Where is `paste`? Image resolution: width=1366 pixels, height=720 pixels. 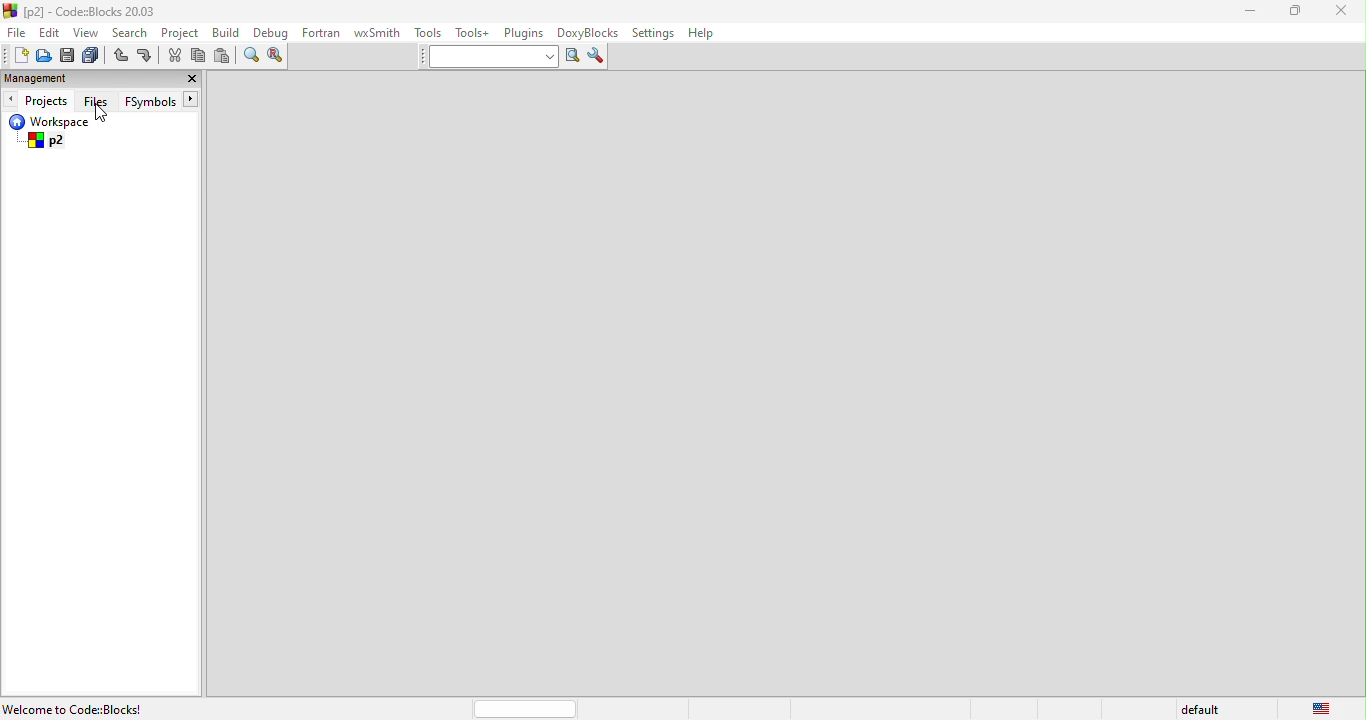 paste is located at coordinates (223, 56).